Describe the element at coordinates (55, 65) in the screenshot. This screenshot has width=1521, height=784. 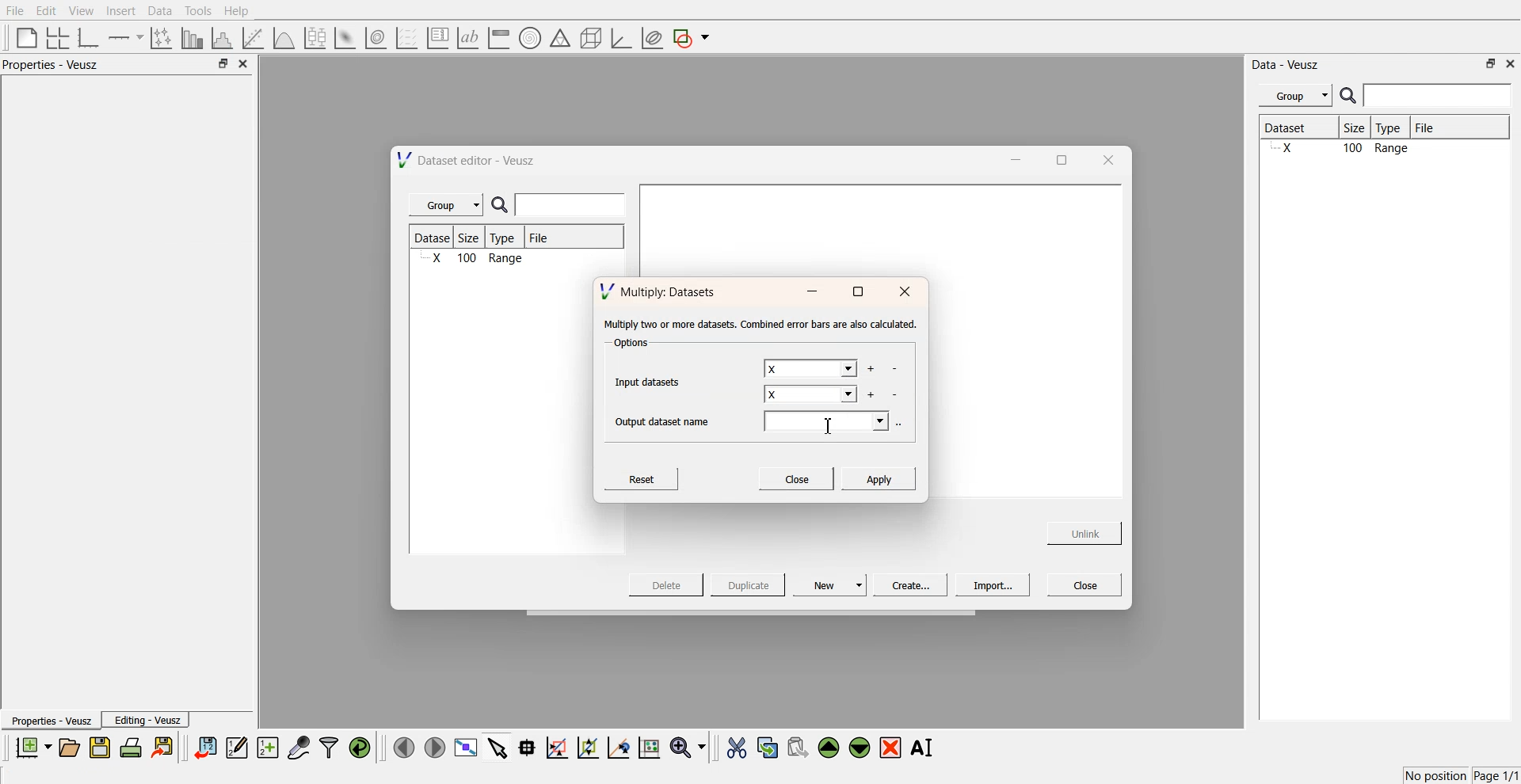
I see `Properties - Veusz` at that location.